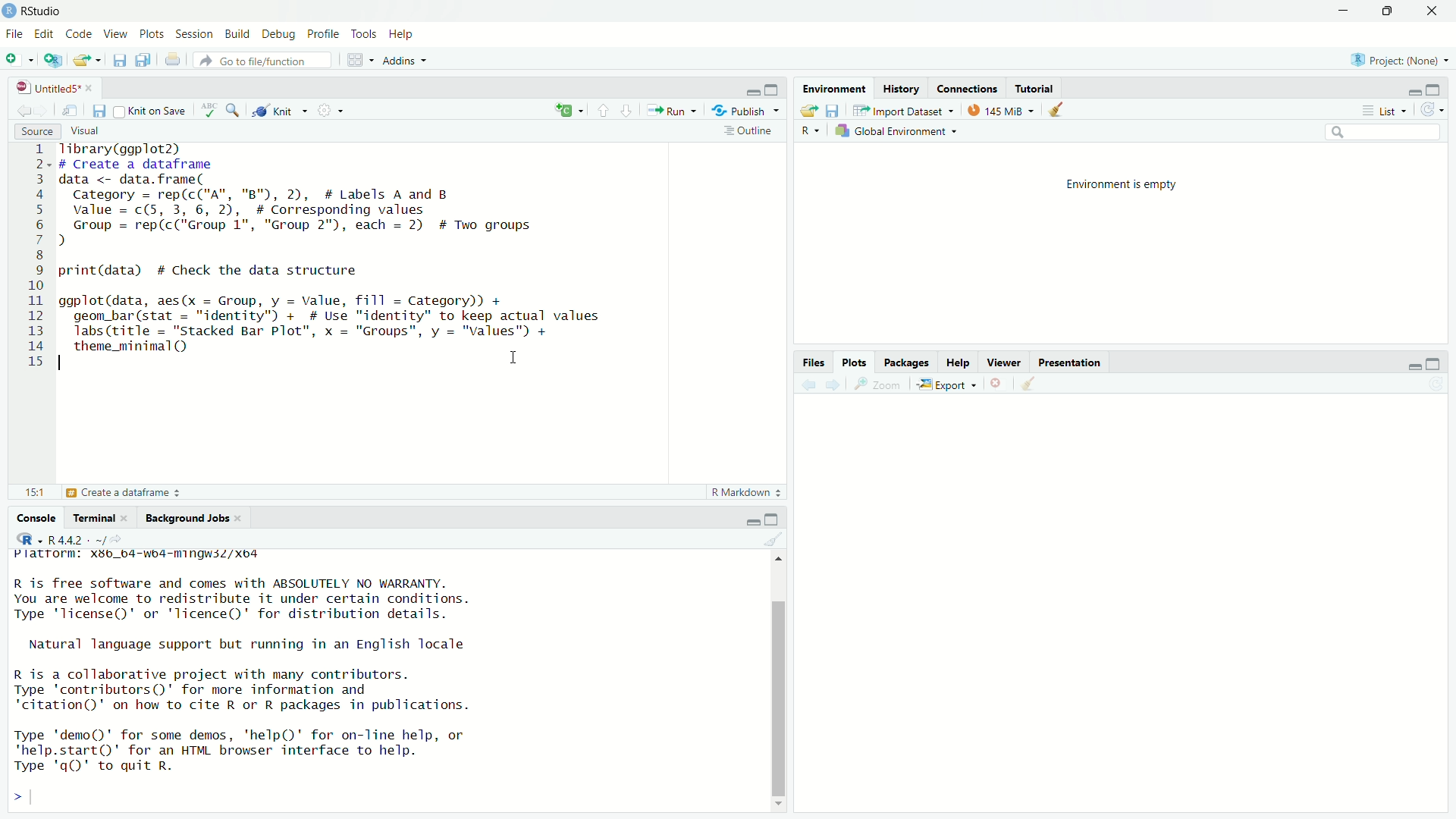 The width and height of the screenshot is (1456, 819). What do you see at coordinates (999, 384) in the screenshot?
I see `Close` at bounding box center [999, 384].